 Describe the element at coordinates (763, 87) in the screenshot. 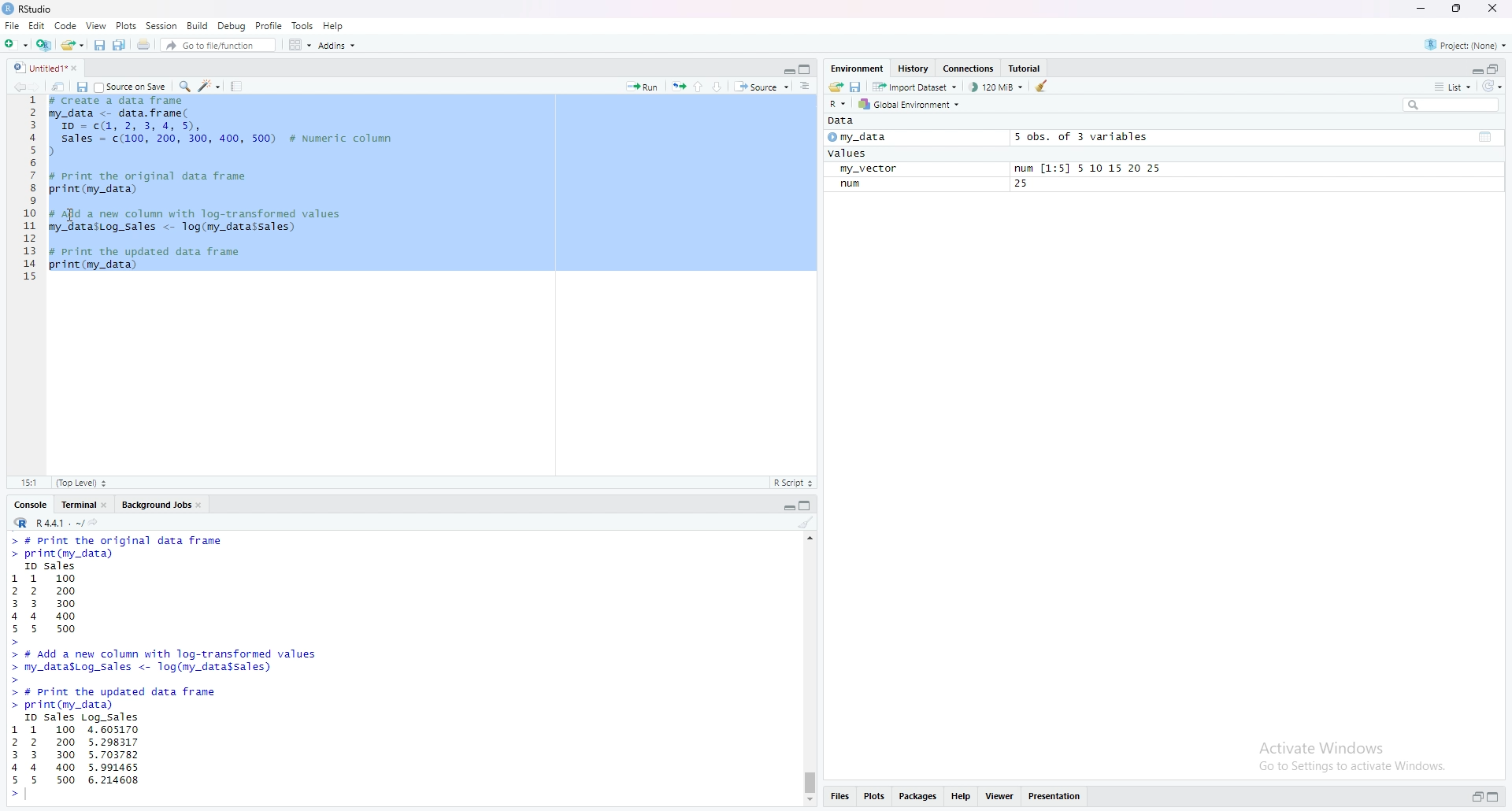

I see `source the contents of the active document` at that location.